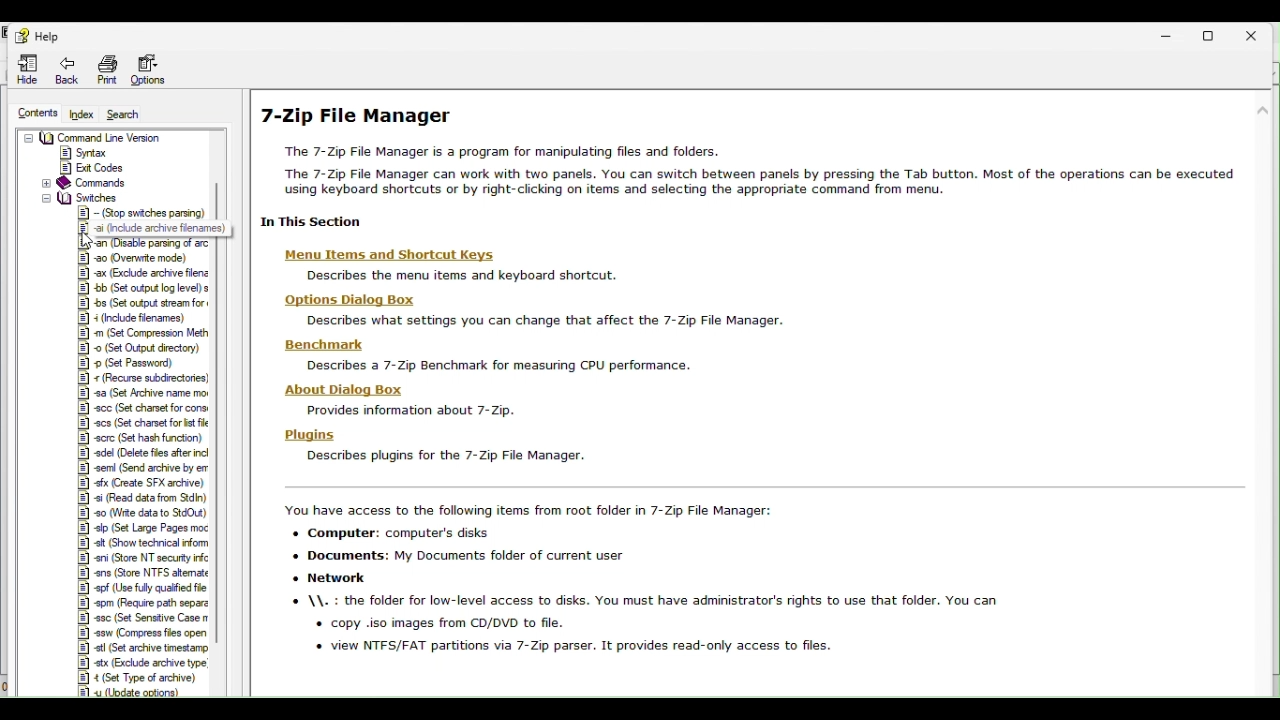 This screenshot has height=720, width=1280. What do you see at coordinates (146, 543) in the screenshot?
I see `|&] sit (Show technical inform` at bounding box center [146, 543].